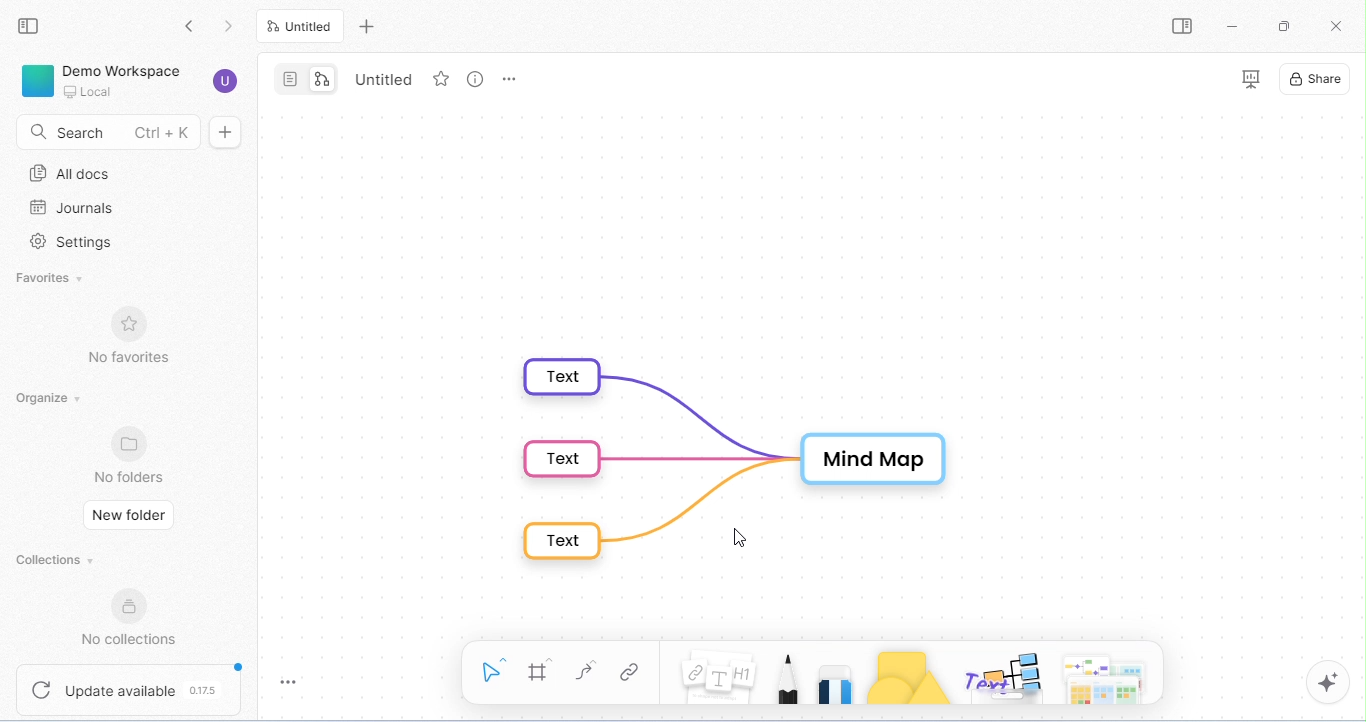 The width and height of the screenshot is (1366, 722). What do you see at coordinates (224, 80) in the screenshot?
I see `account` at bounding box center [224, 80].